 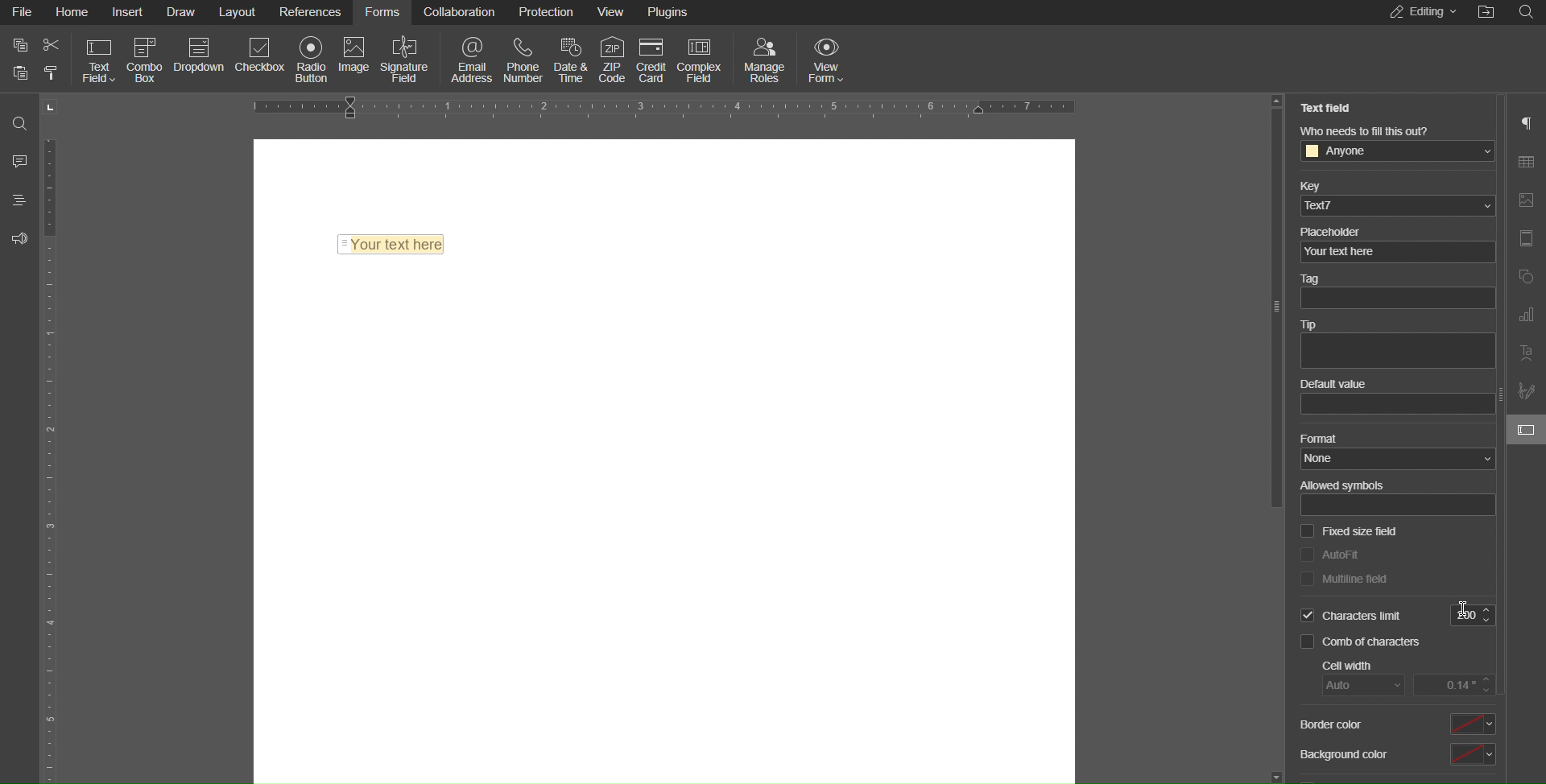 I want to click on Multiline Field, so click(x=1344, y=580).